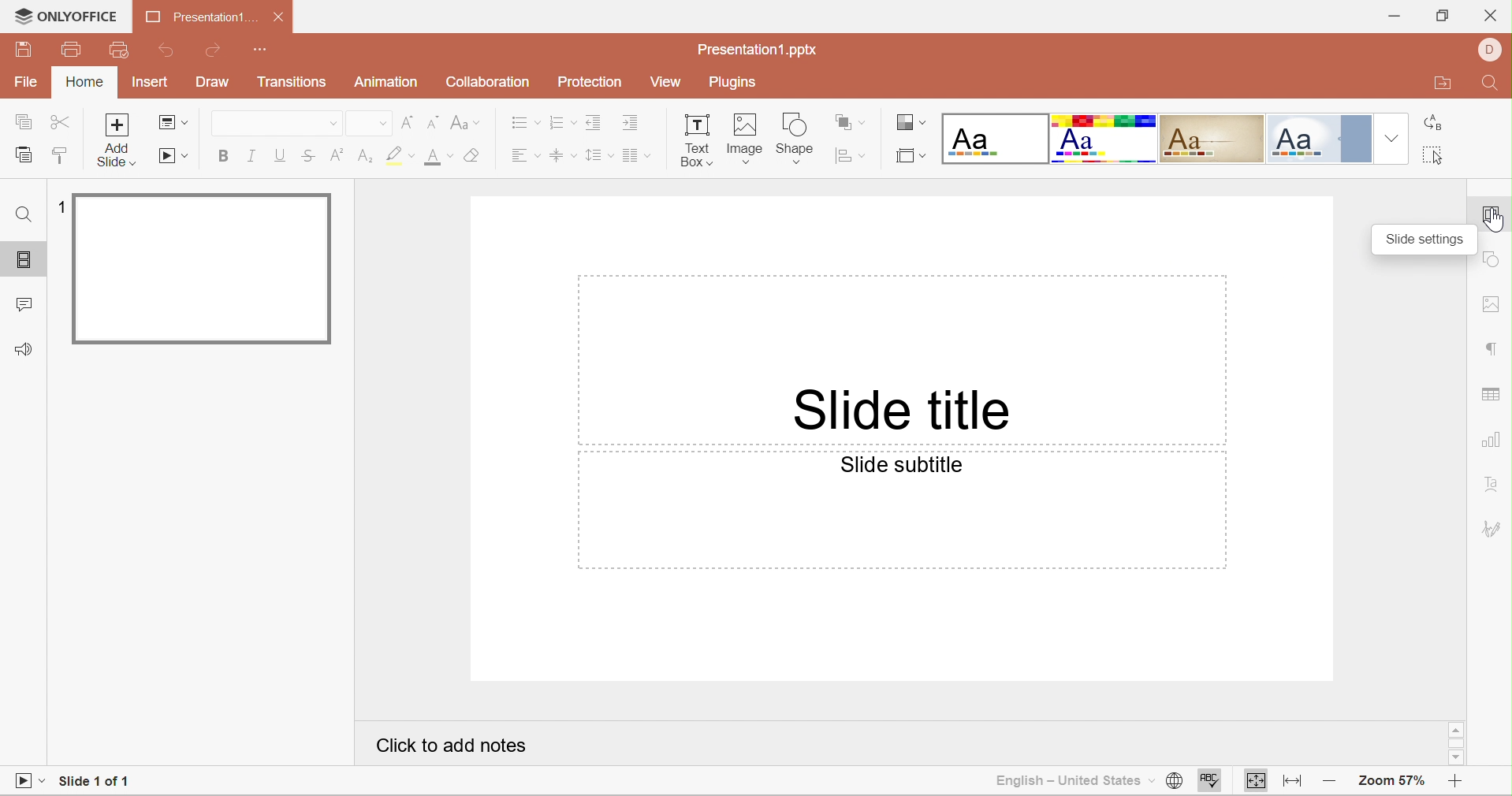  I want to click on Select all, so click(1435, 158).